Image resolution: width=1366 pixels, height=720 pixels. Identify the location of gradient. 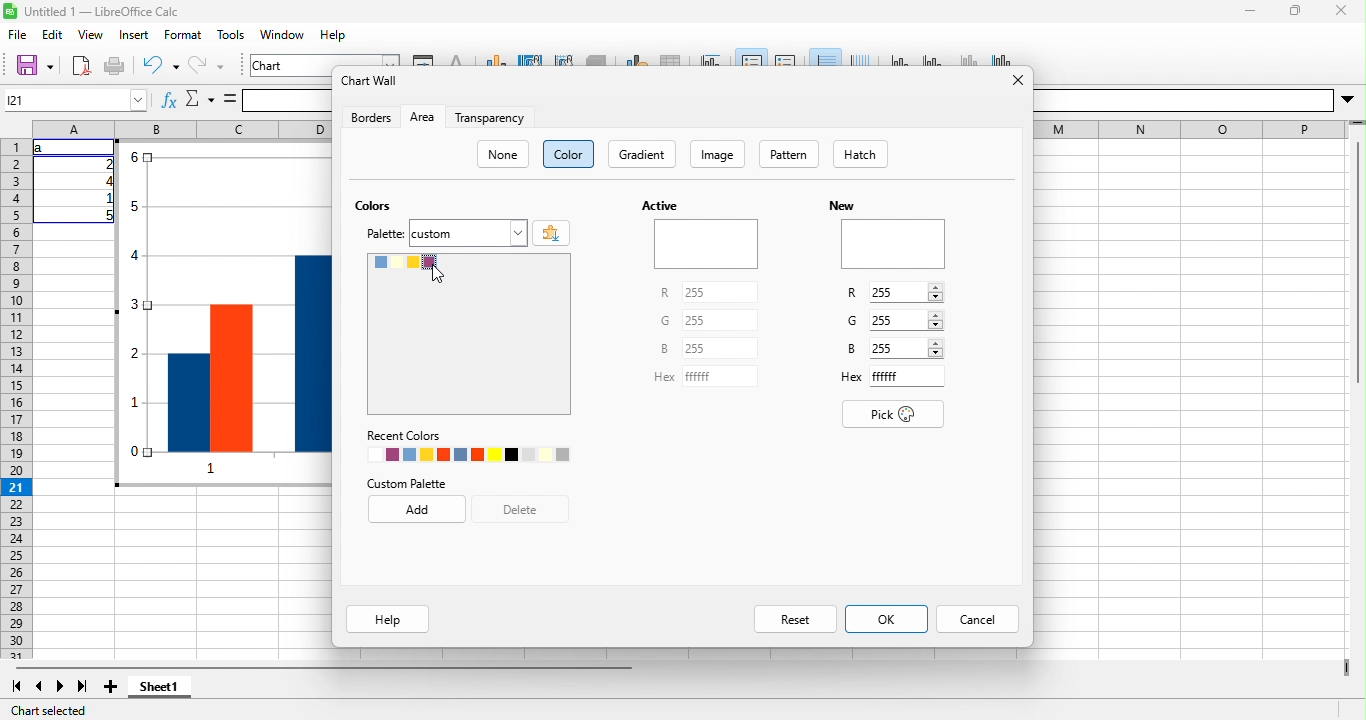
(642, 154).